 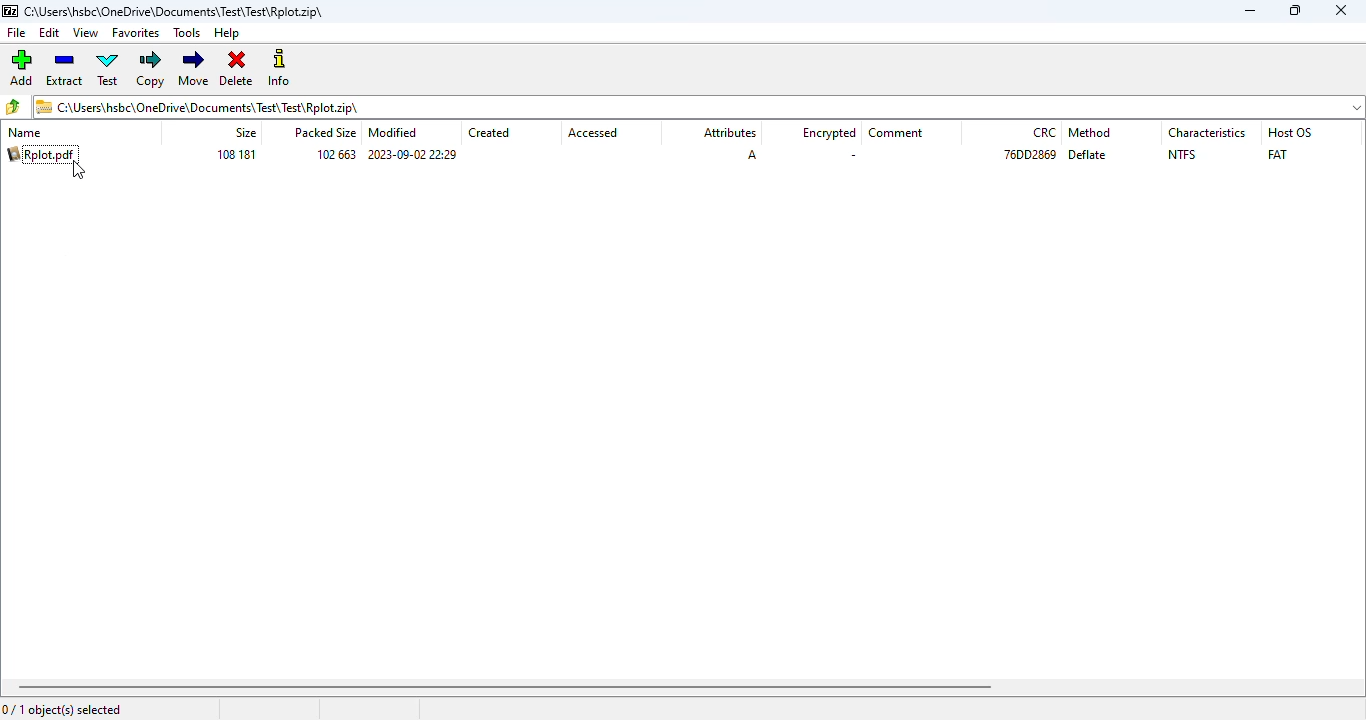 What do you see at coordinates (278, 67) in the screenshot?
I see `info` at bounding box center [278, 67].